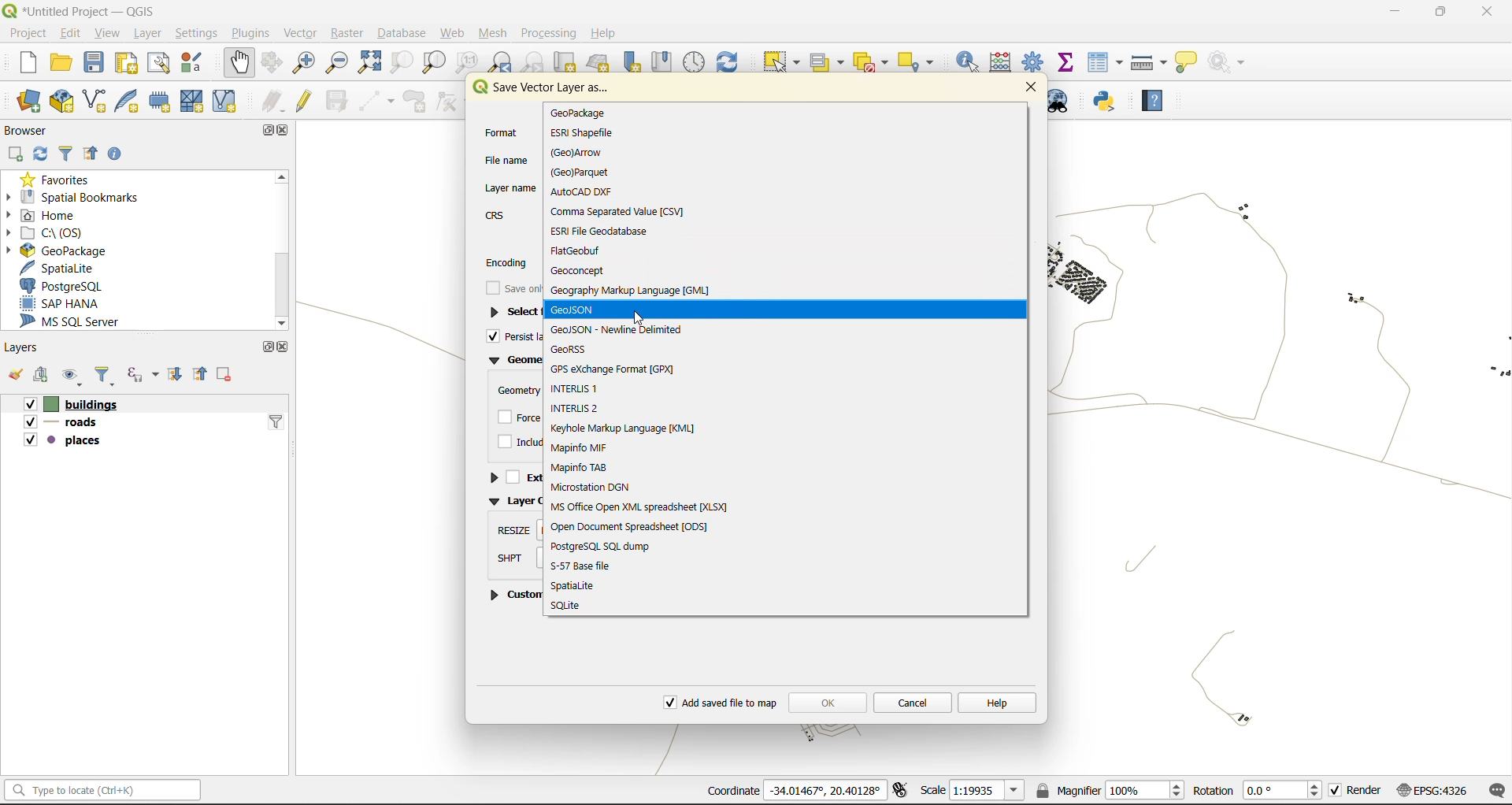 This screenshot has height=805, width=1512. Describe the element at coordinates (43, 154) in the screenshot. I see `refresh` at that location.